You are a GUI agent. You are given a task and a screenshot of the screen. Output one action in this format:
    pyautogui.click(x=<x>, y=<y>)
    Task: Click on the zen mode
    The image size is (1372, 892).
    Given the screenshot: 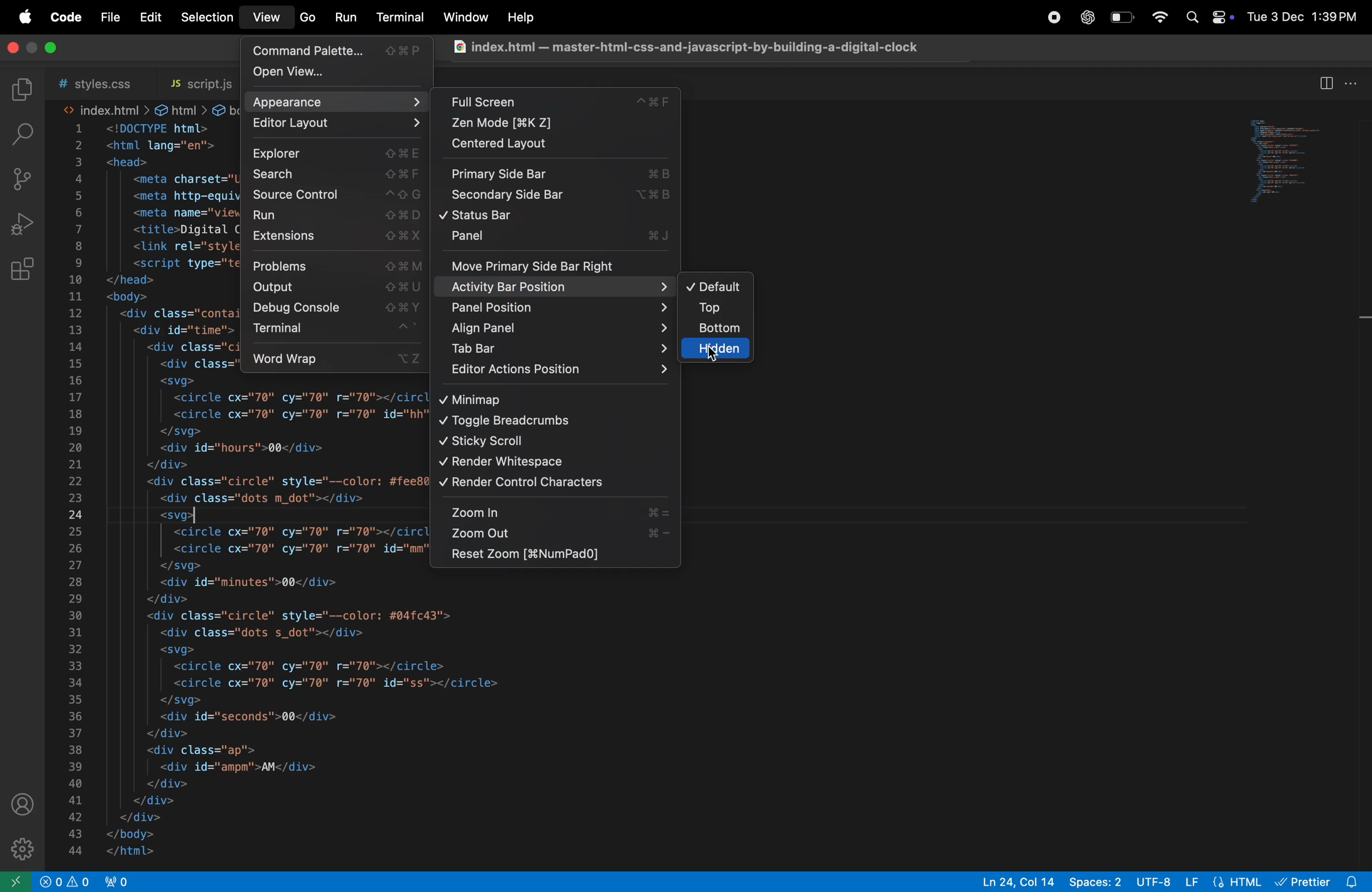 What is the action you would take?
    pyautogui.click(x=555, y=124)
    